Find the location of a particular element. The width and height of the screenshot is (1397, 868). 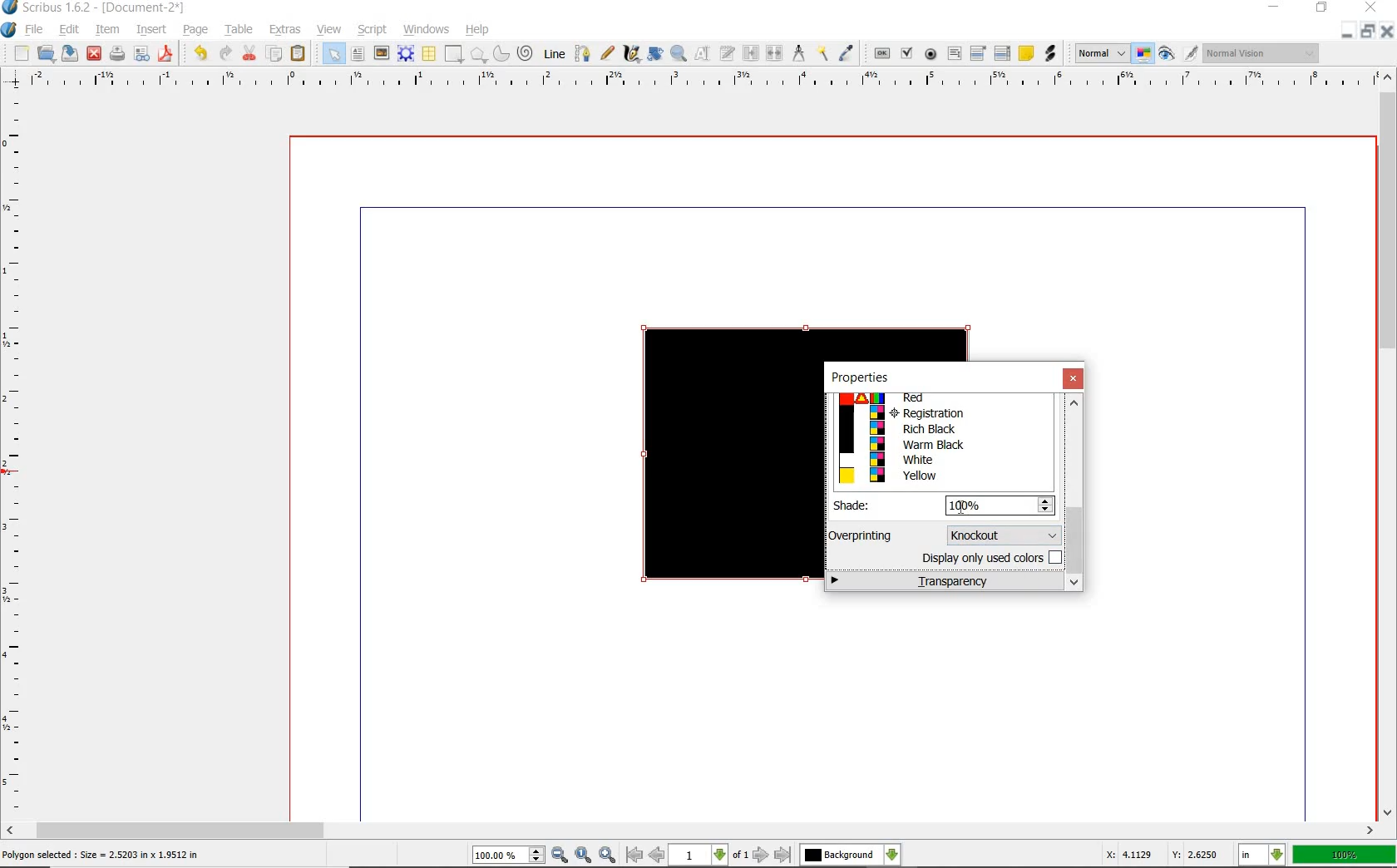

page is located at coordinates (196, 32).